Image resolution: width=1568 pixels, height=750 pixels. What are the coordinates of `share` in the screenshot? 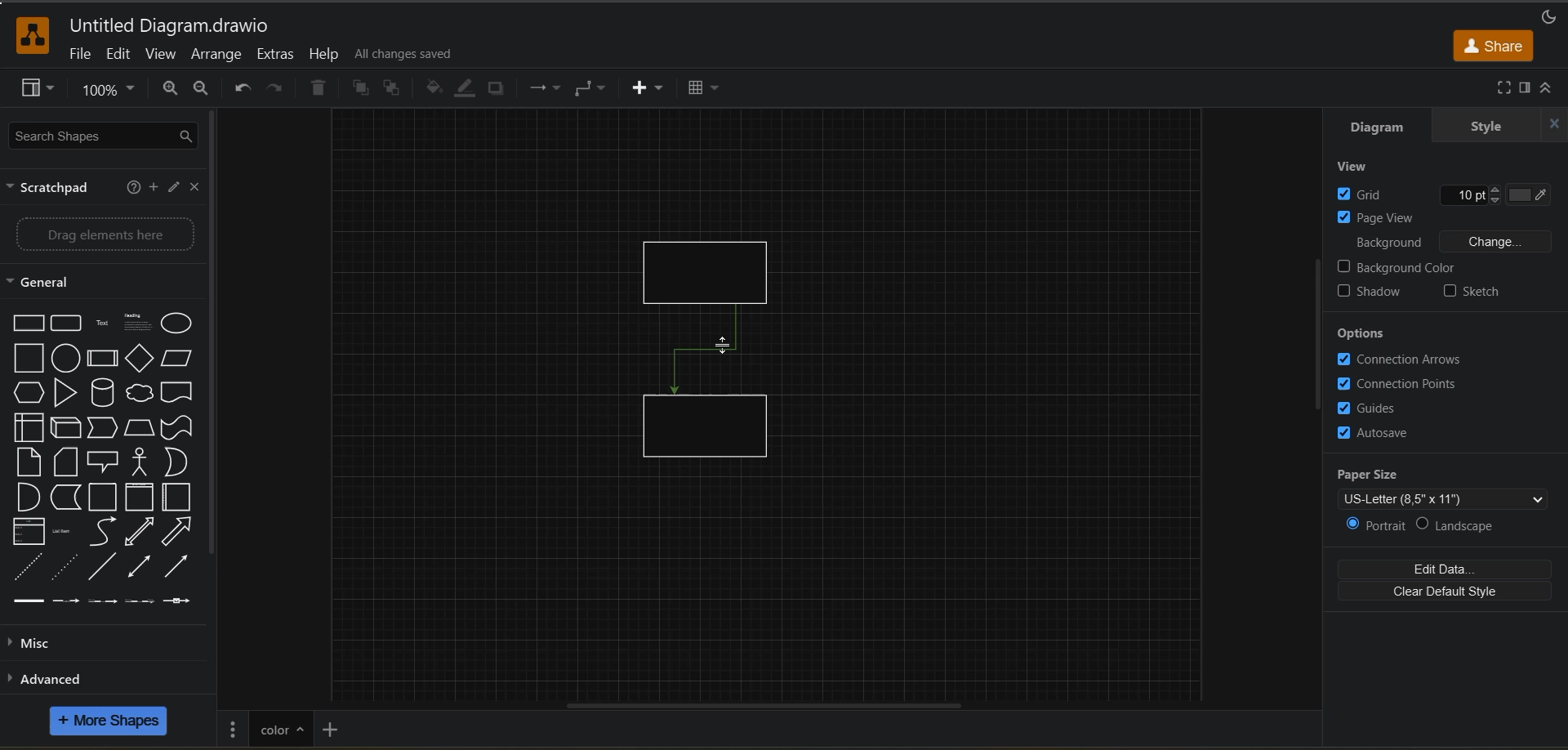 It's located at (1494, 45).